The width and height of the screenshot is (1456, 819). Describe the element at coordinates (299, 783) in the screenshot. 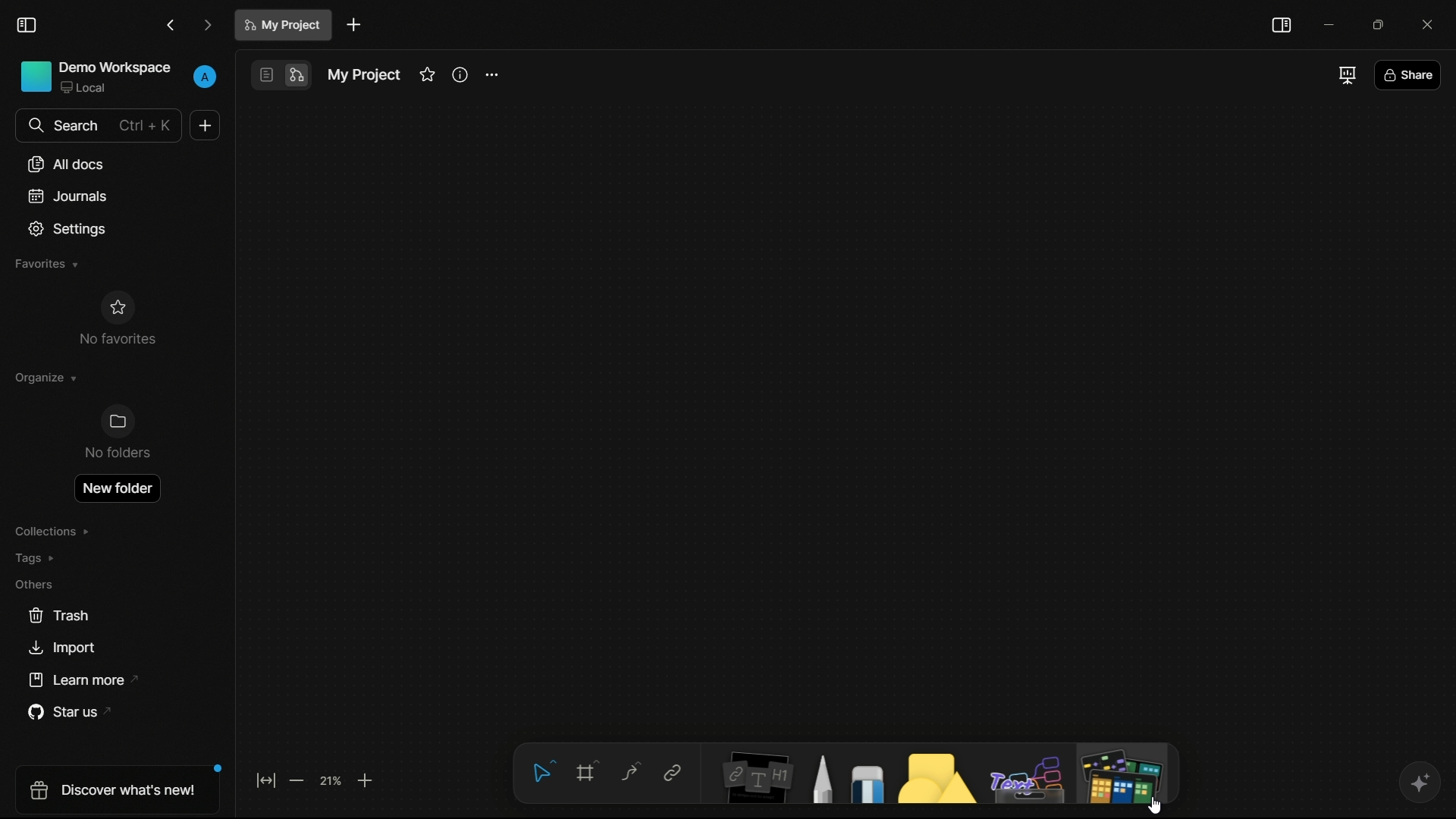

I see `zoom out` at that location.